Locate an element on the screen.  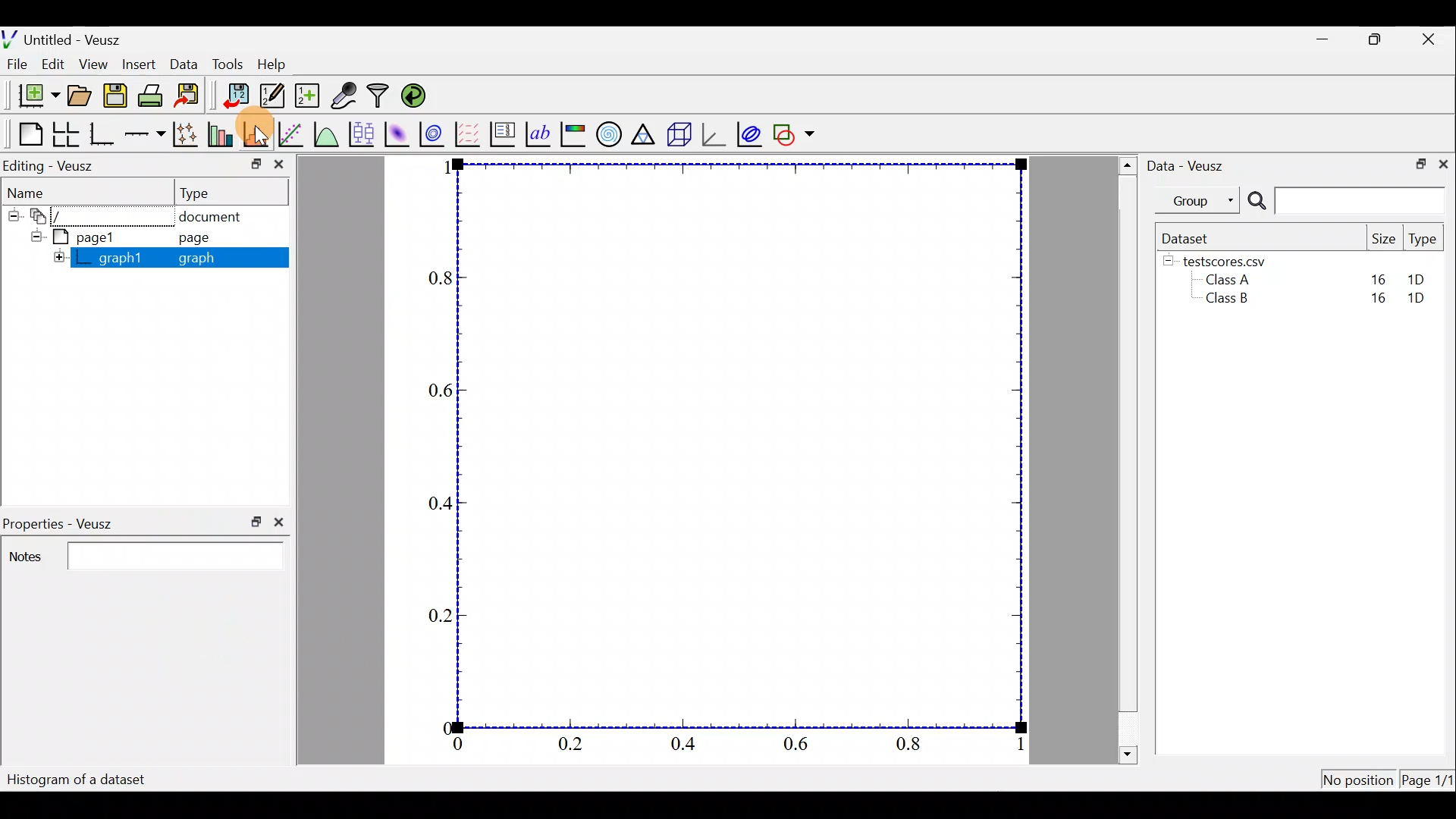
Image color bar is located at coordinates (573, 134).